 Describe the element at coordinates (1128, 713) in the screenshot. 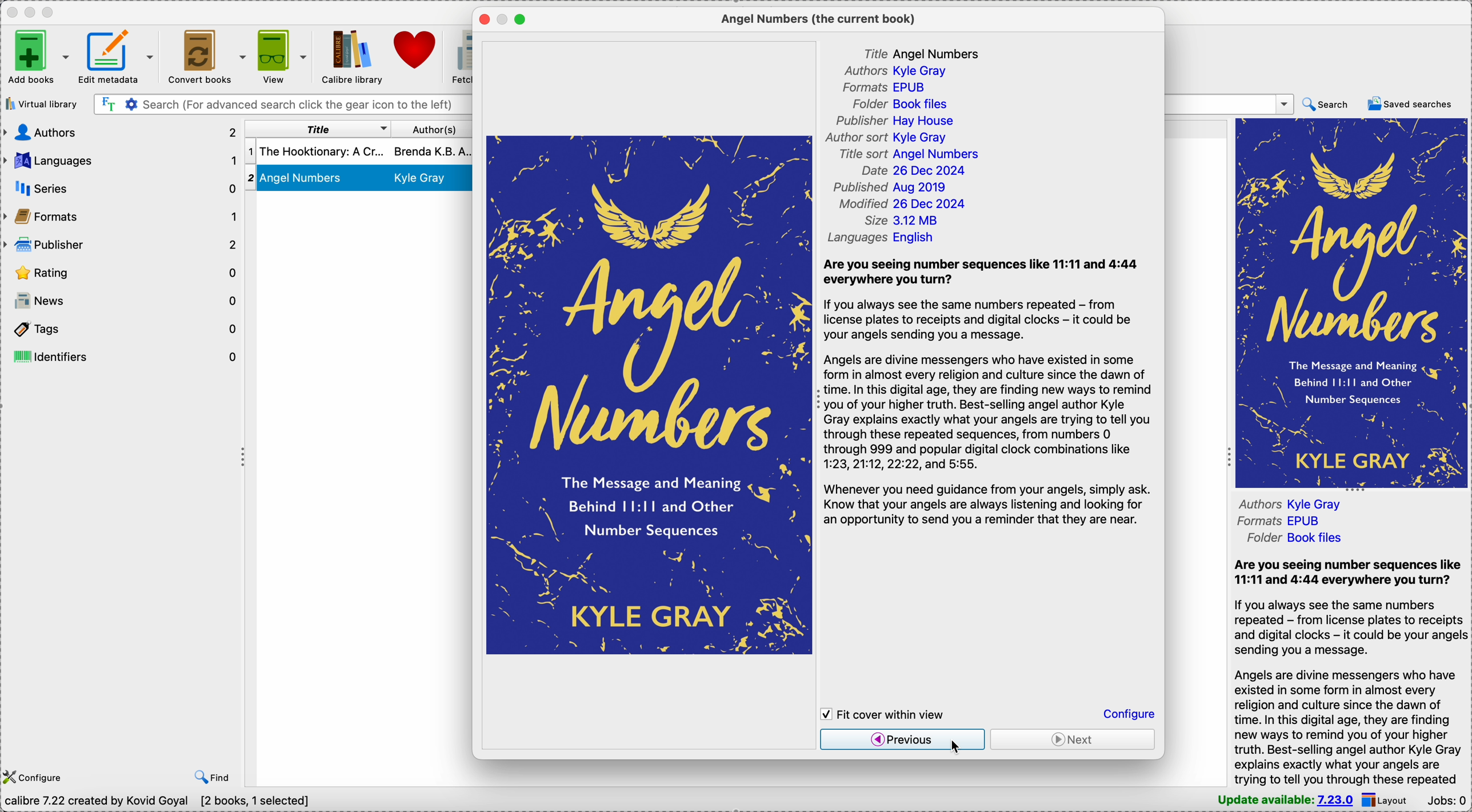

I see `configure` at that location.